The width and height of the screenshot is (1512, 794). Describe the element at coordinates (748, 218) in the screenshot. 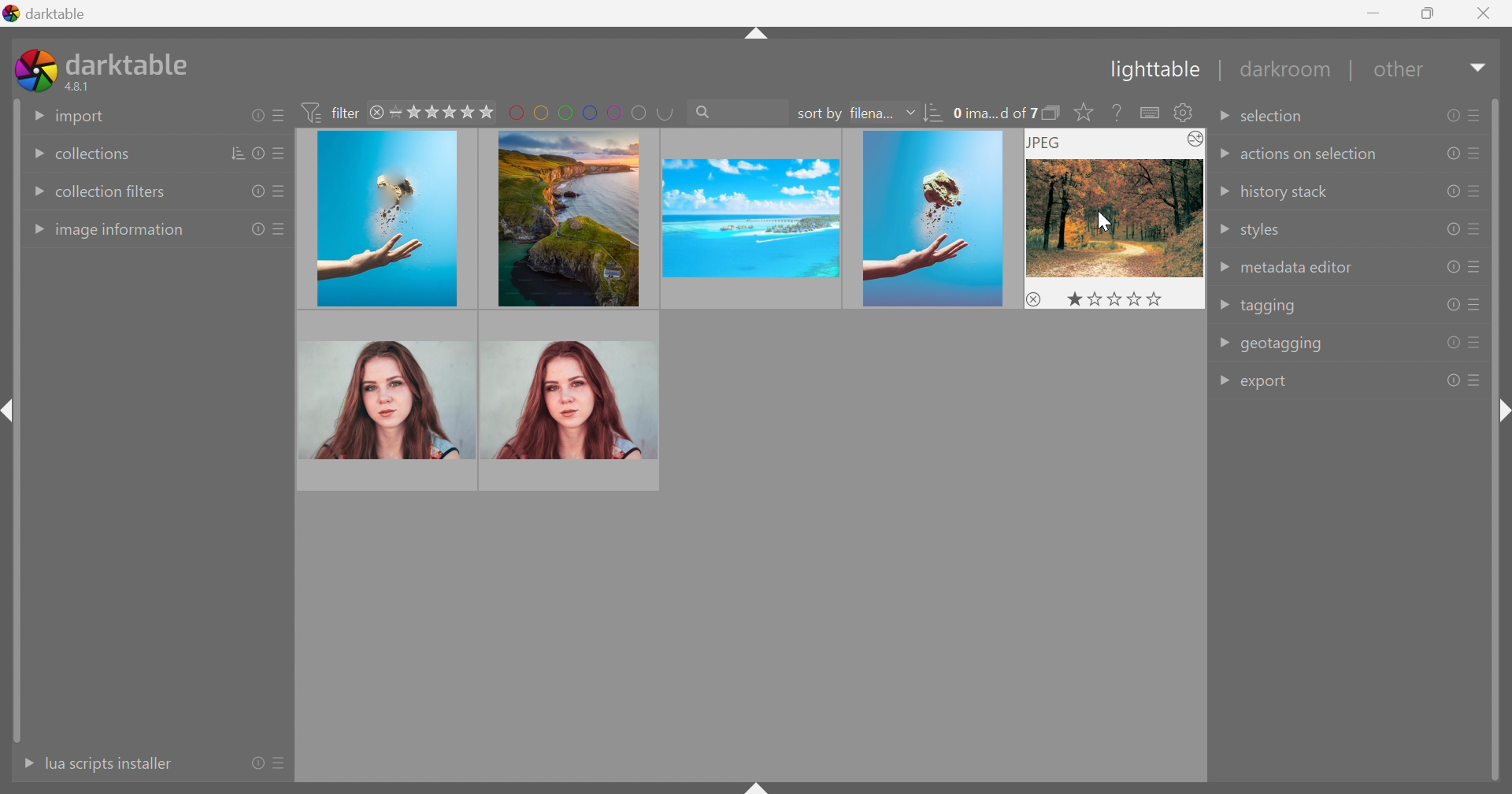

I see `image` at that location.